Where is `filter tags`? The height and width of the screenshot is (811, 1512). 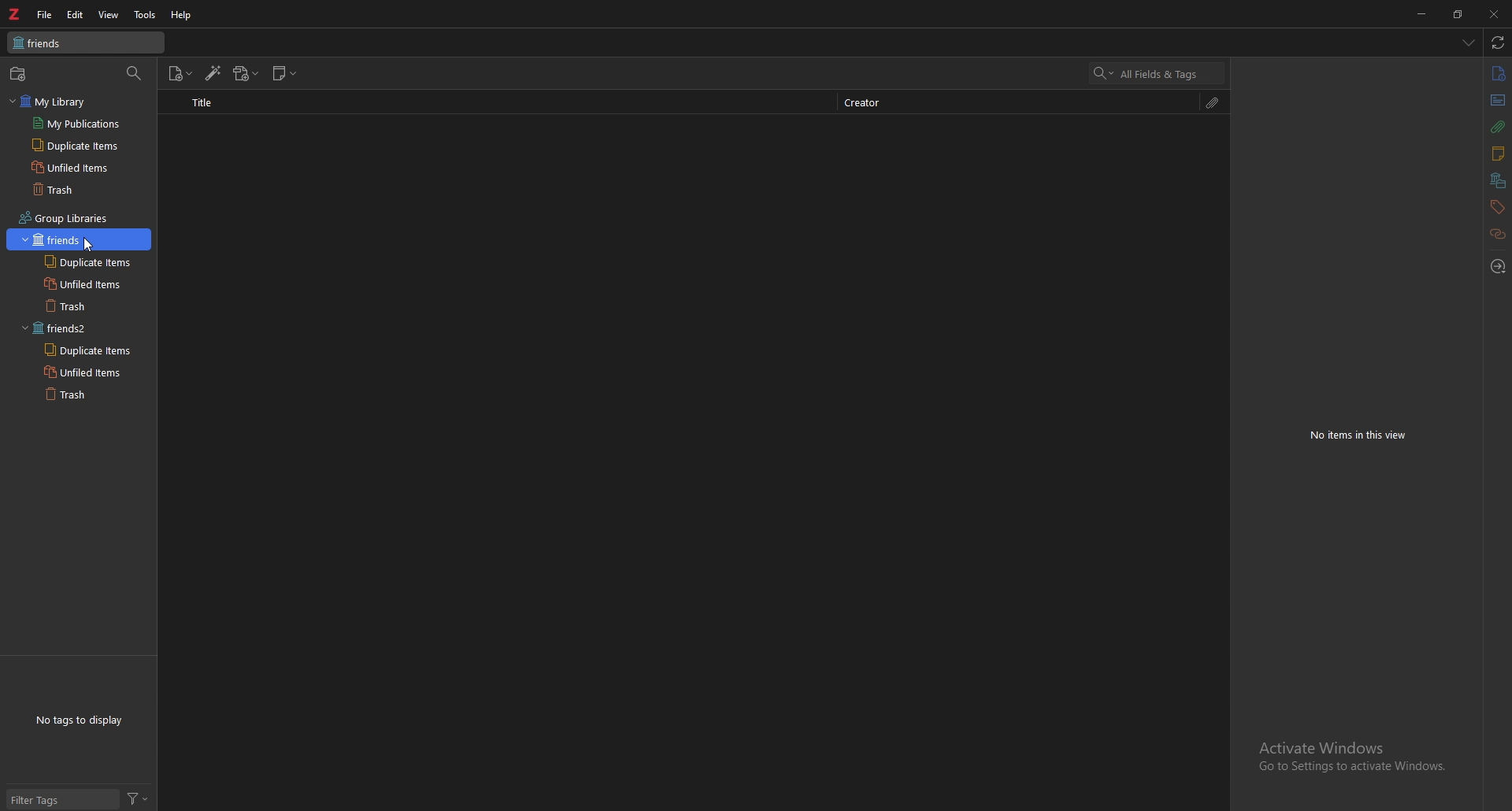 filter tags is located at coordinates (63, 798).